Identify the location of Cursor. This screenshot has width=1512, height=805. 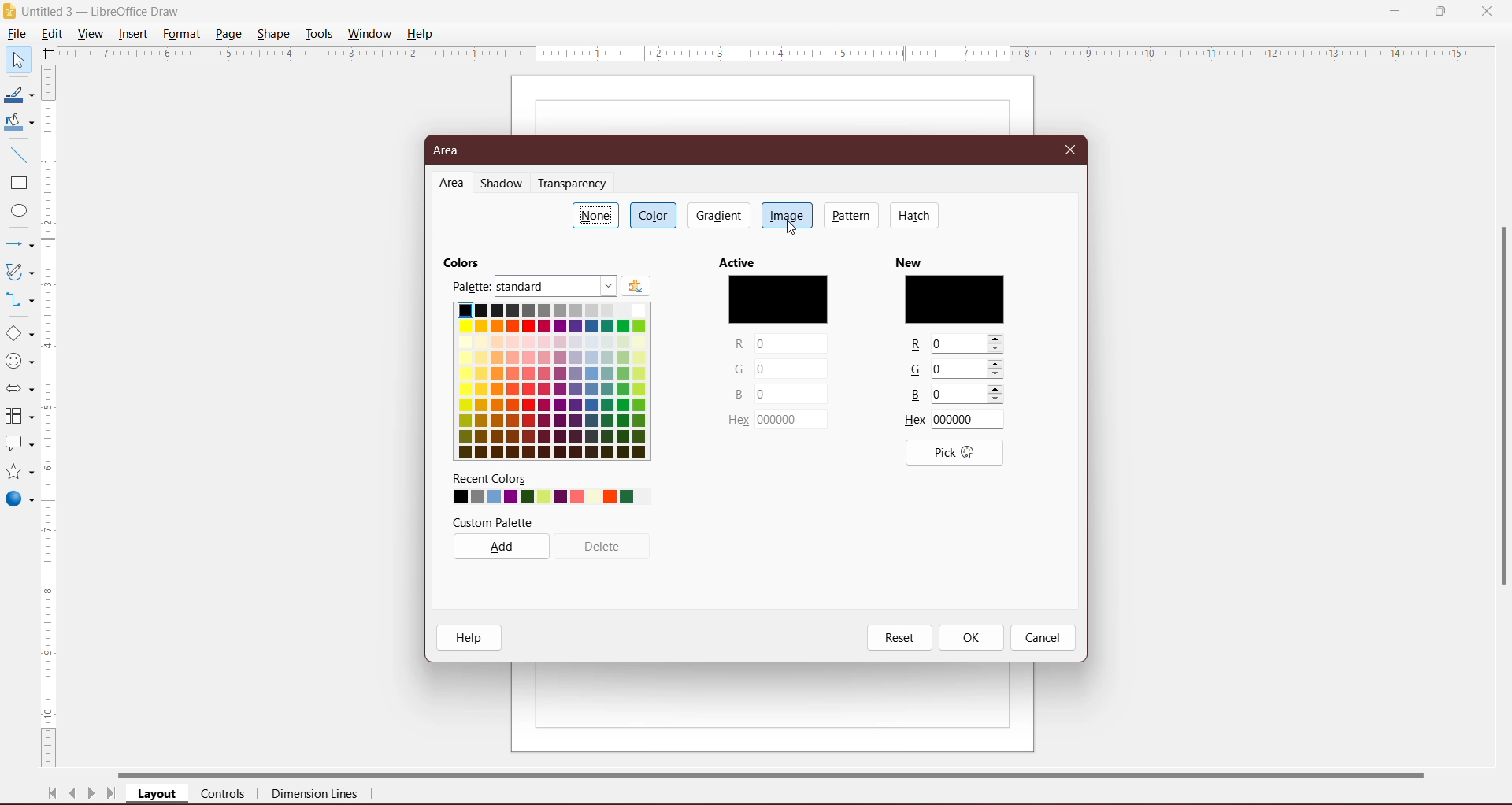
(795, 231).